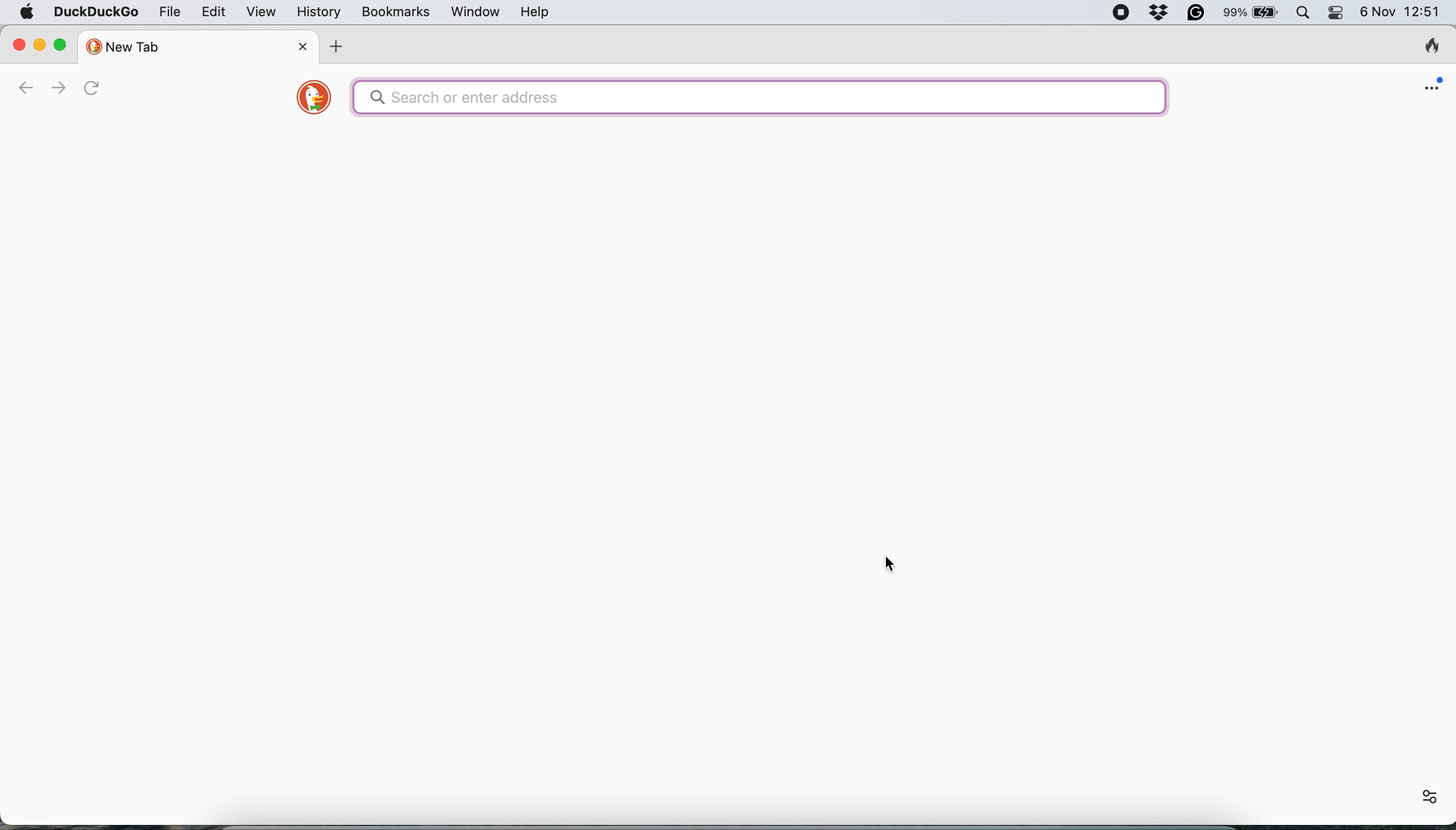 The image size is (1456, 830). Describe the element at coordinates (19, 43) in the screenshot. I see `close` at that location.